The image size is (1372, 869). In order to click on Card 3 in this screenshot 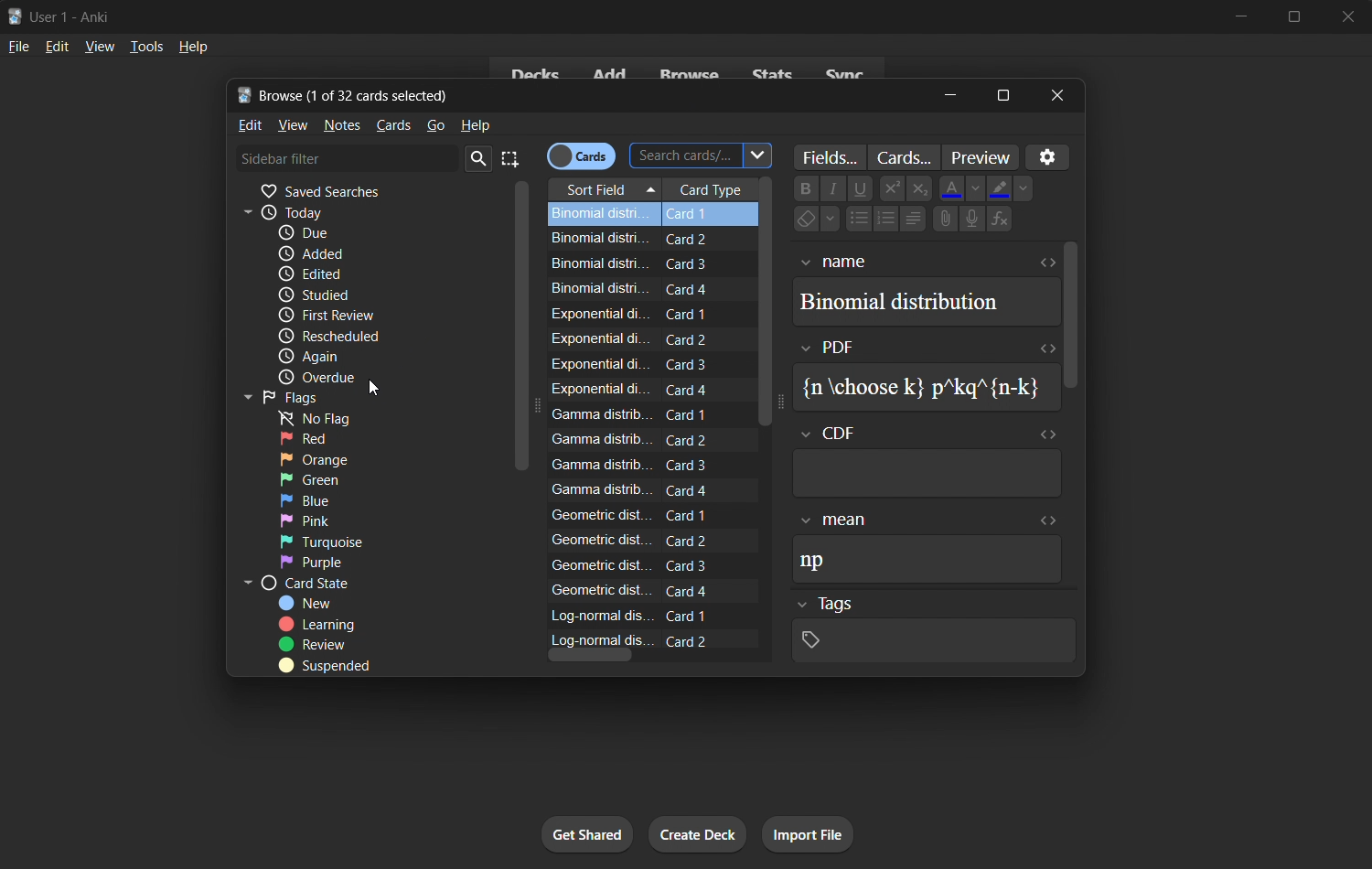, I will do `click(699, 467)`.